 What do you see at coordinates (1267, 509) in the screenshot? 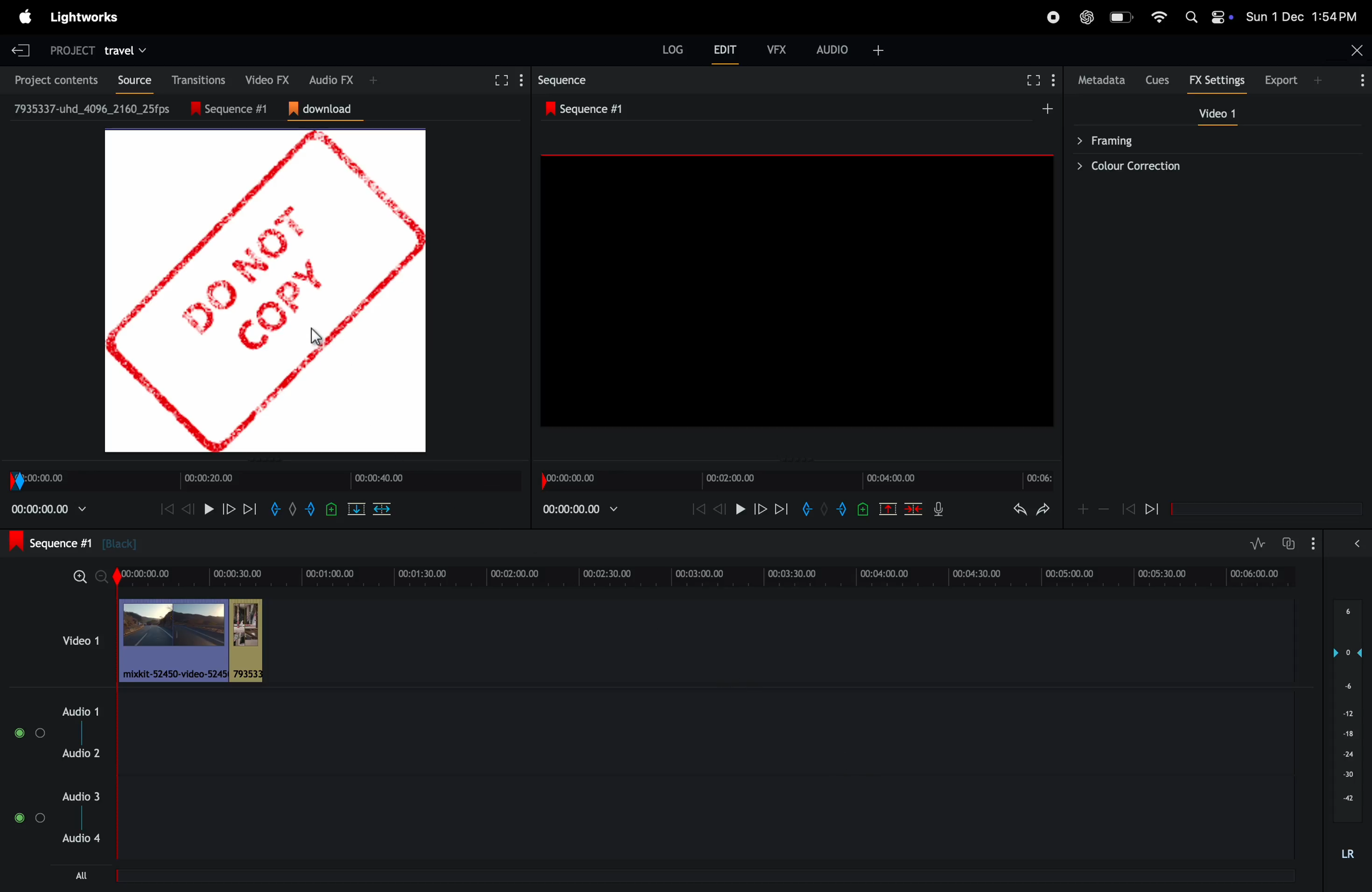
I see `Horizontal slide bar` at bounding box center [1267, 509].